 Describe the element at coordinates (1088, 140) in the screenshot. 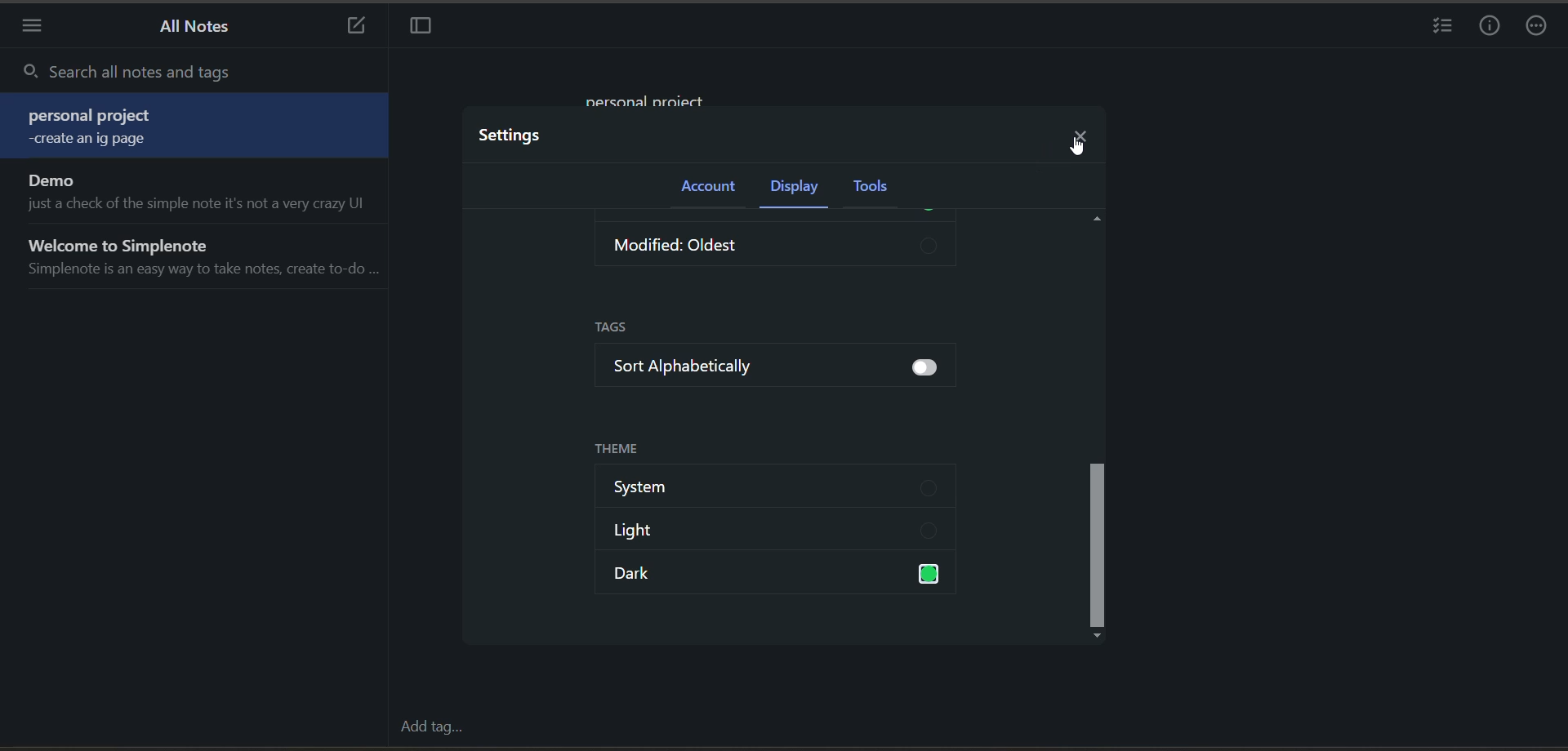

I see `close` at that location.